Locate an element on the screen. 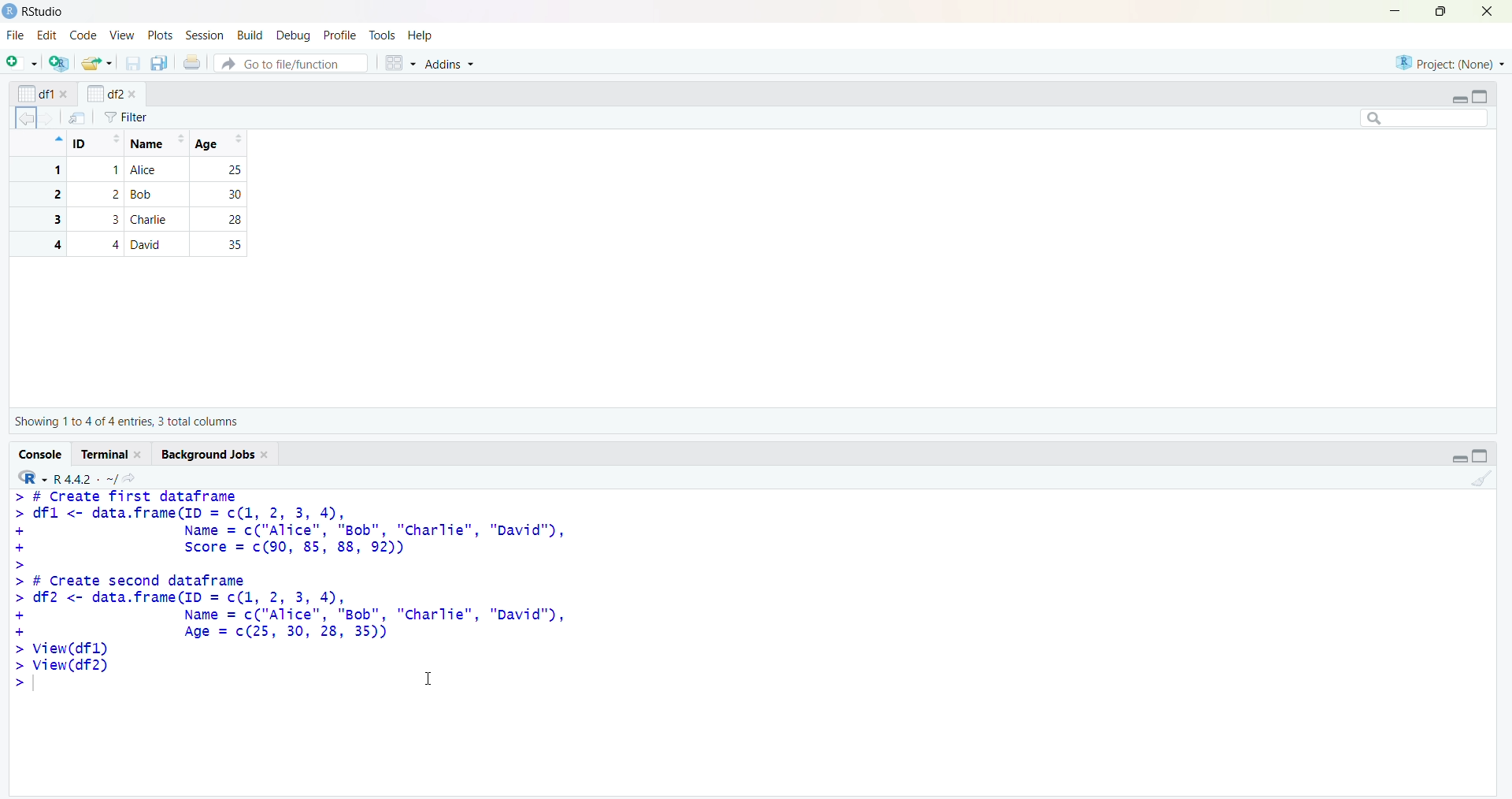 This screenshot has height=799, width=1512. Filter is located at coordinates (126, 117).